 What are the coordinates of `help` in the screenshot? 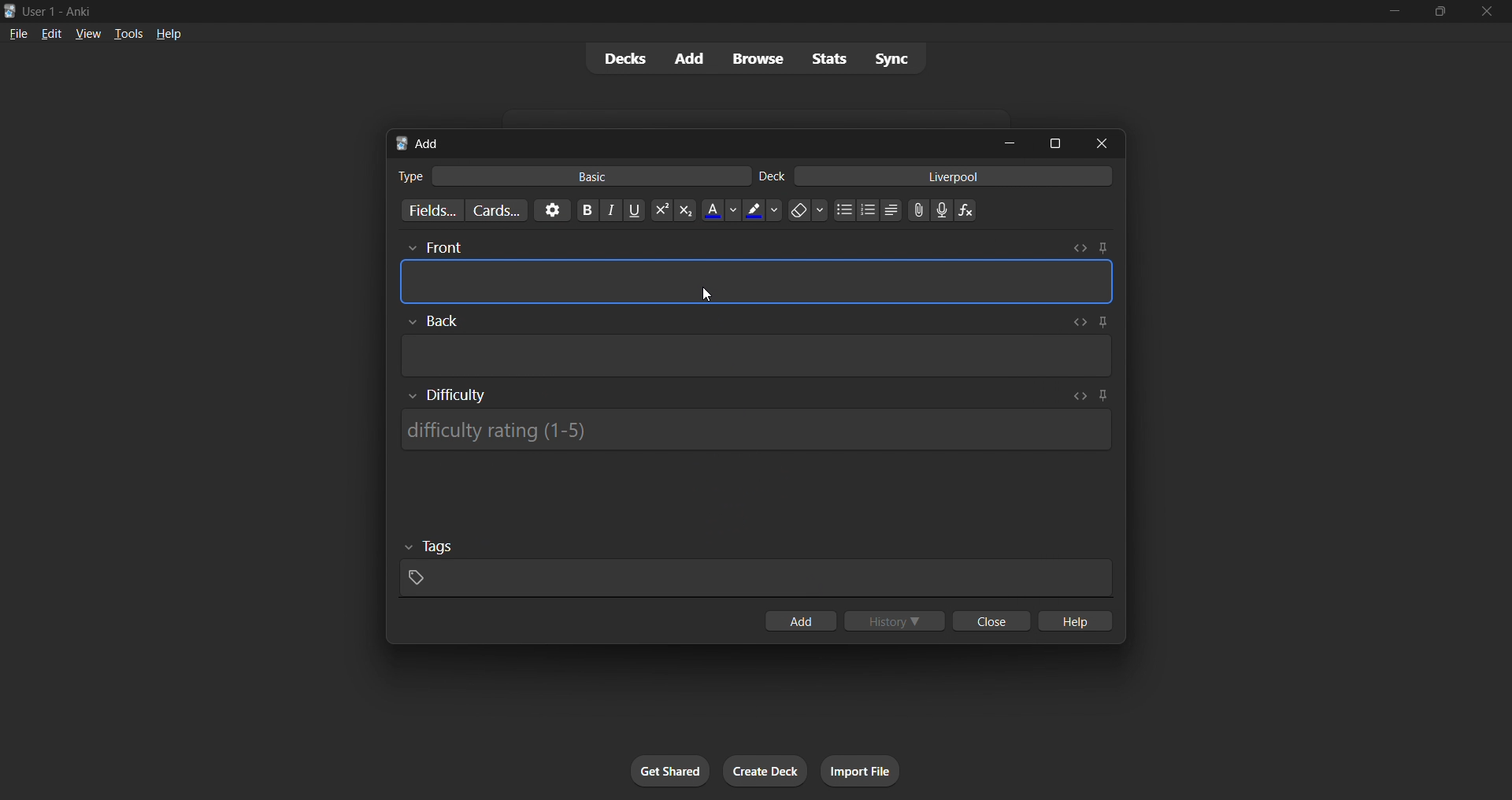 It's located at (1073, 620).